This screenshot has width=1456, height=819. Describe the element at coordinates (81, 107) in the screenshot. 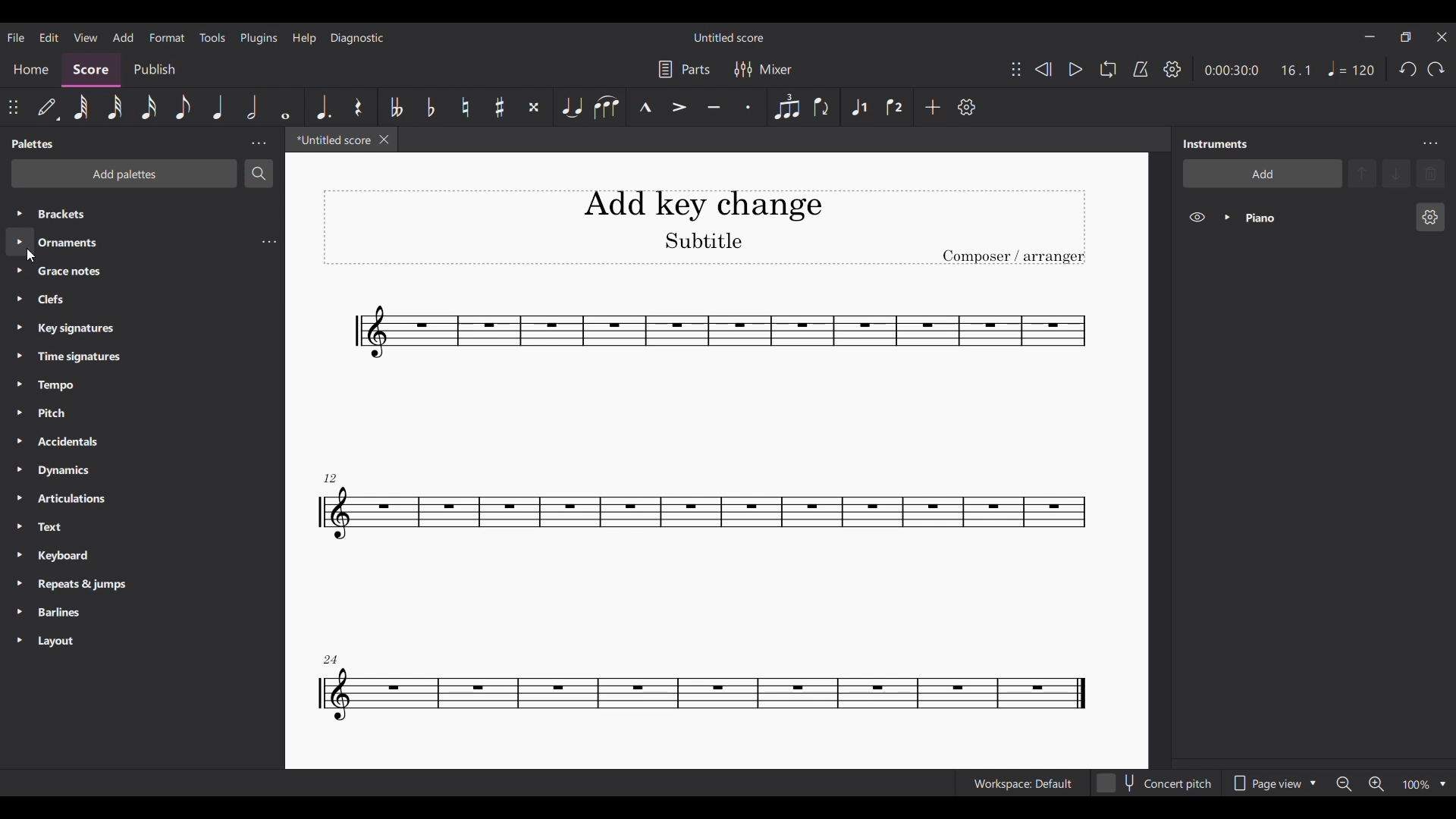

I see `64th note` at that location.